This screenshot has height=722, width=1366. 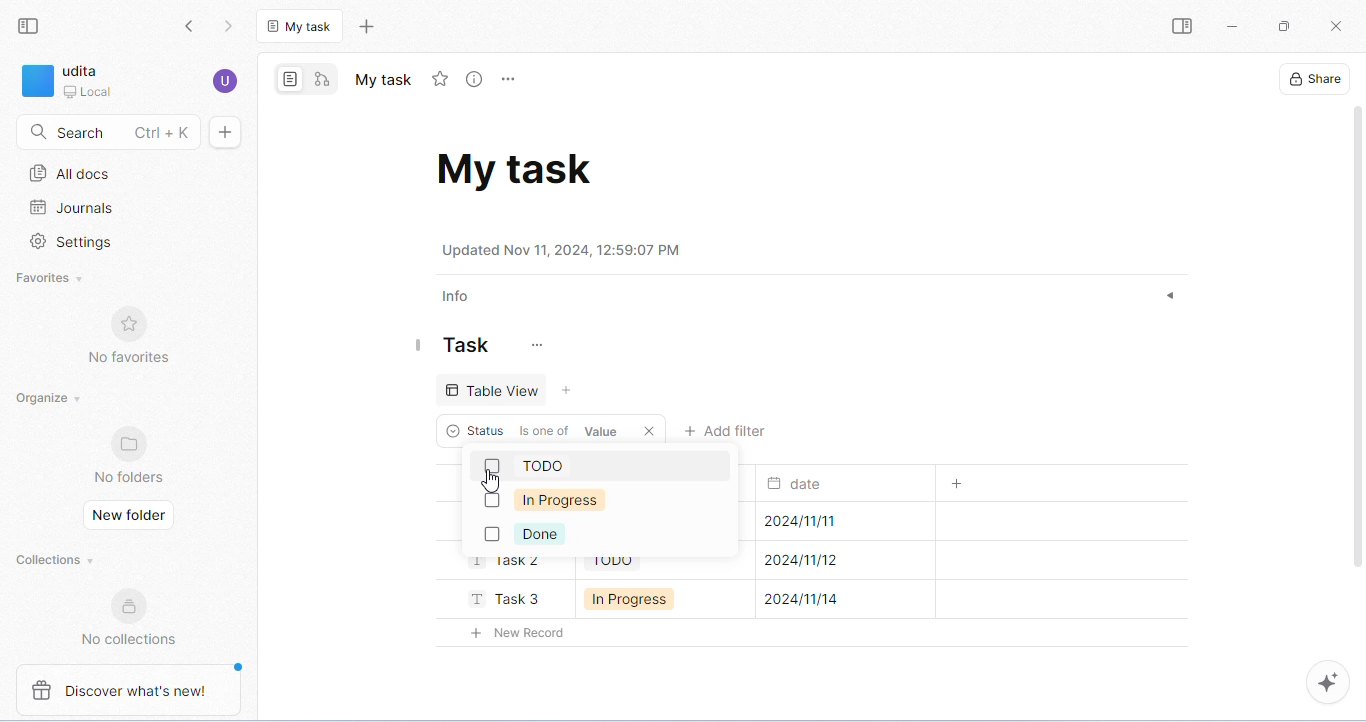 I want to click on rename and more, so click(x=511, y=80).